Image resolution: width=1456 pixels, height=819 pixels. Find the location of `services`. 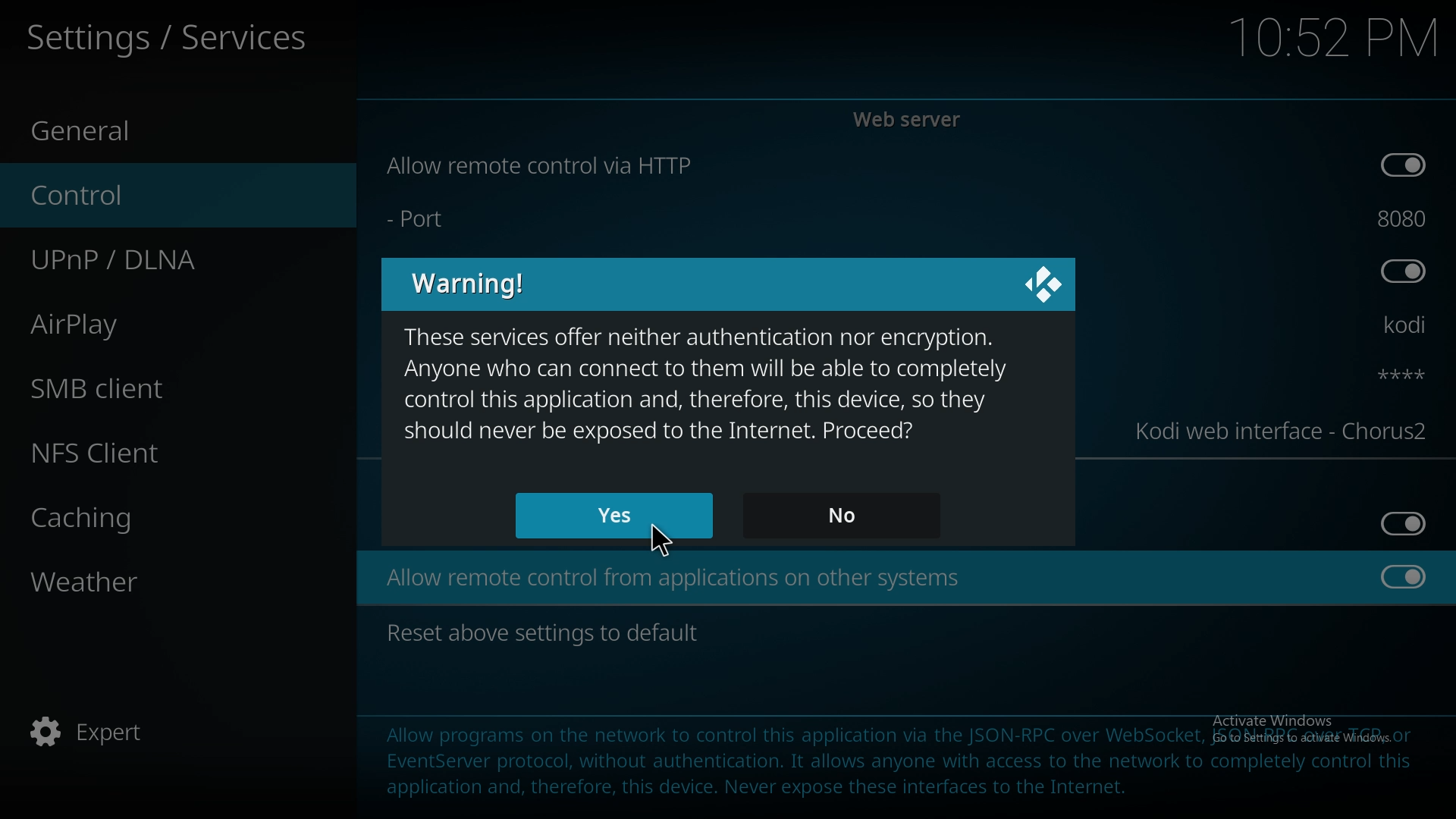

services is located at coordinates (168, 34).